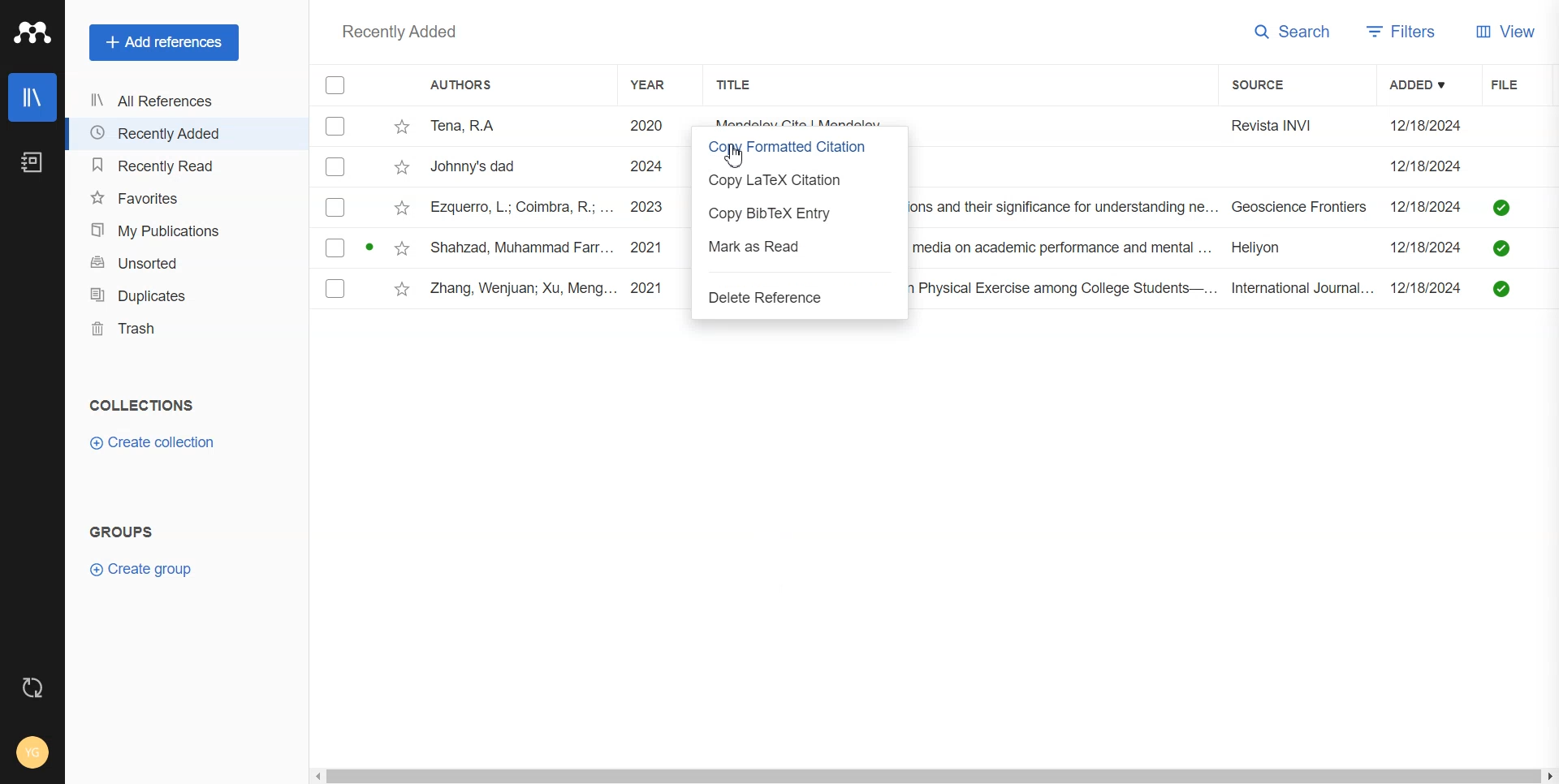 This screenshot has width=1559, height=784. What do you see at coordinates (186, 197) in the screenshot?
I see `Favorites` at bounding box center [186, 197].